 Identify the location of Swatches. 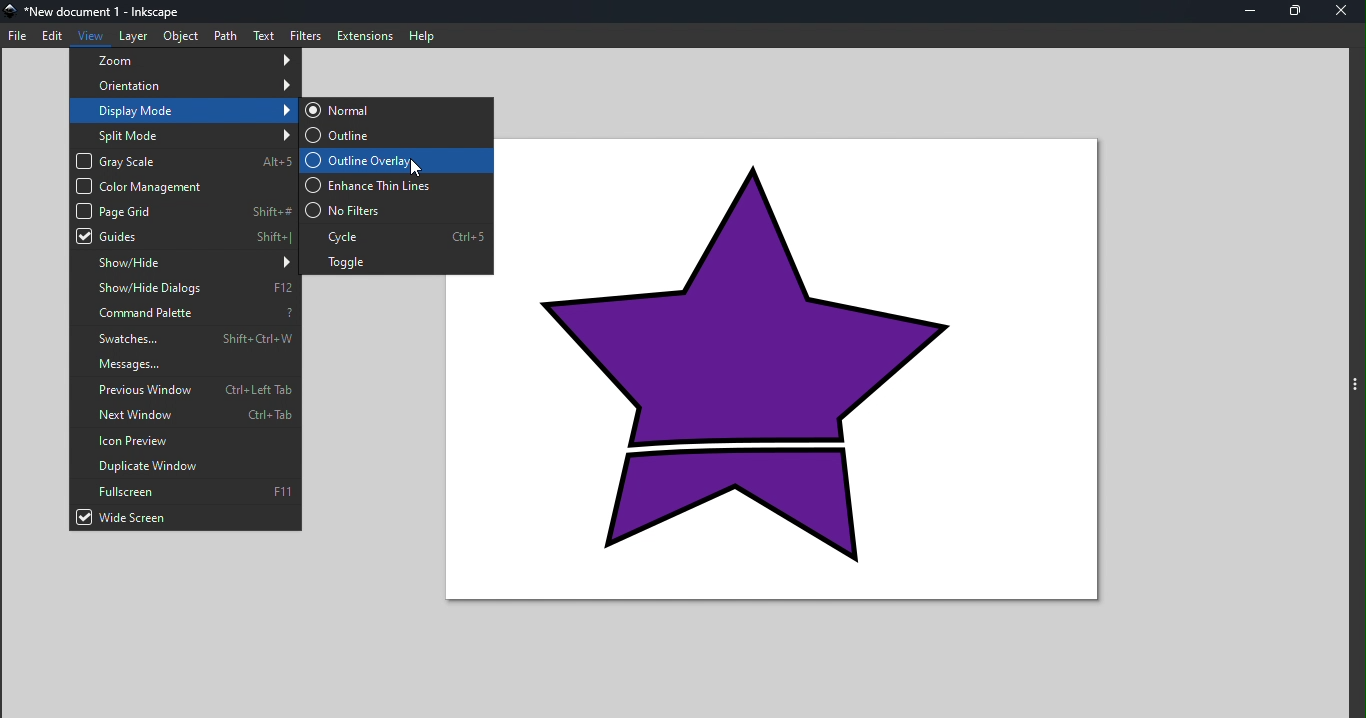
(186, 338).